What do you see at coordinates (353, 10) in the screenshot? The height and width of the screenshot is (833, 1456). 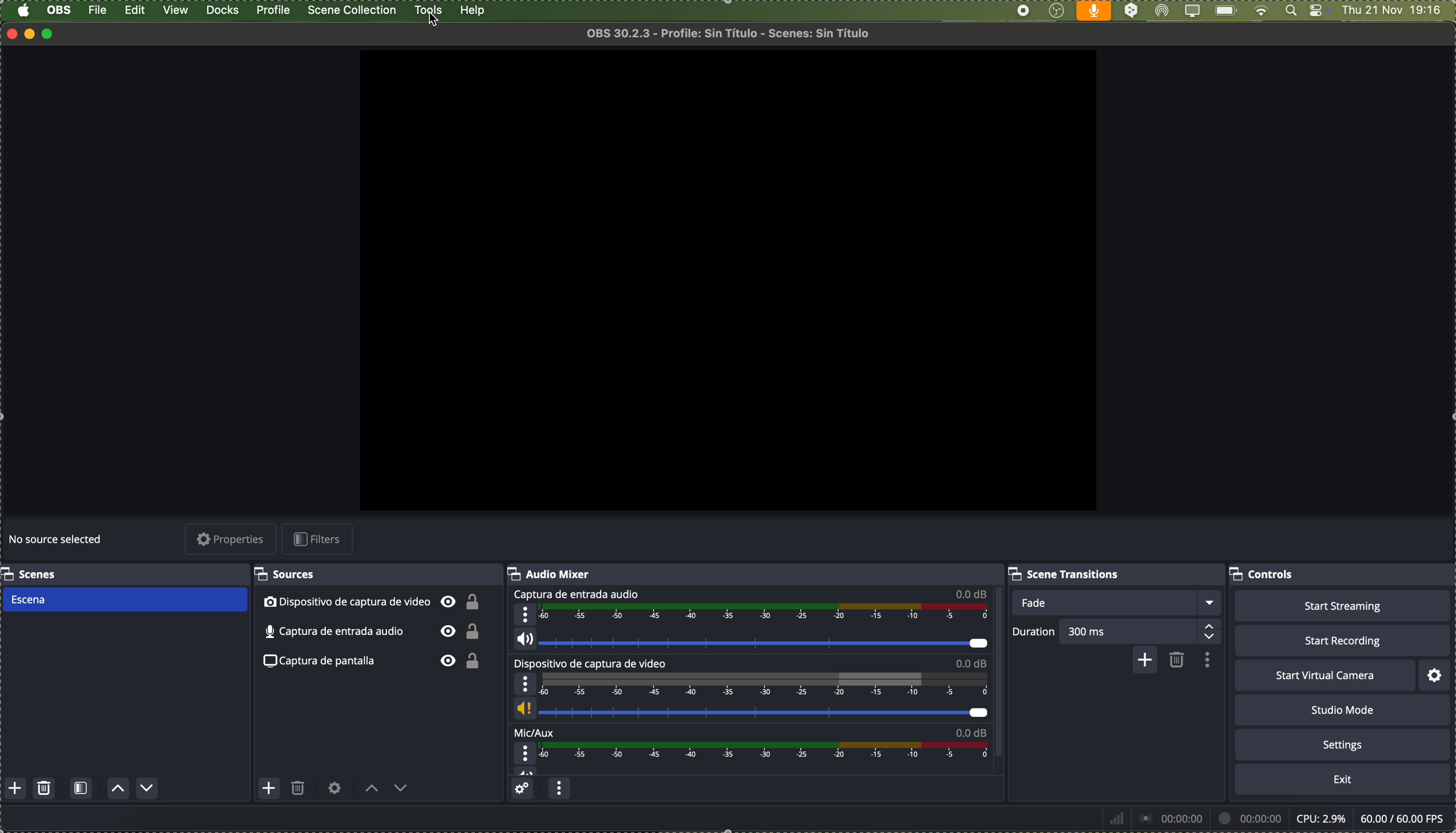 I see `scene collection` at bounding box center [353, 10].